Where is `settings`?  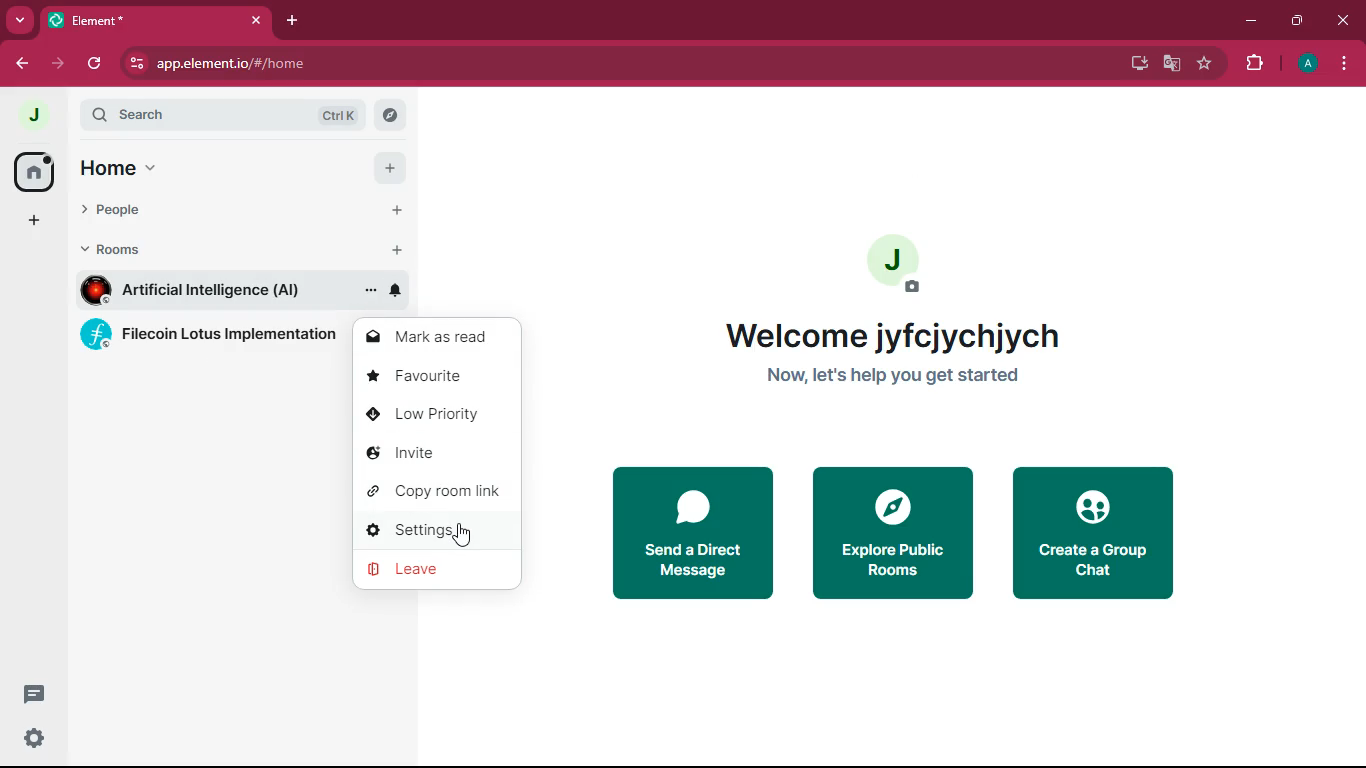
settings is located at coordinates (432, 530).